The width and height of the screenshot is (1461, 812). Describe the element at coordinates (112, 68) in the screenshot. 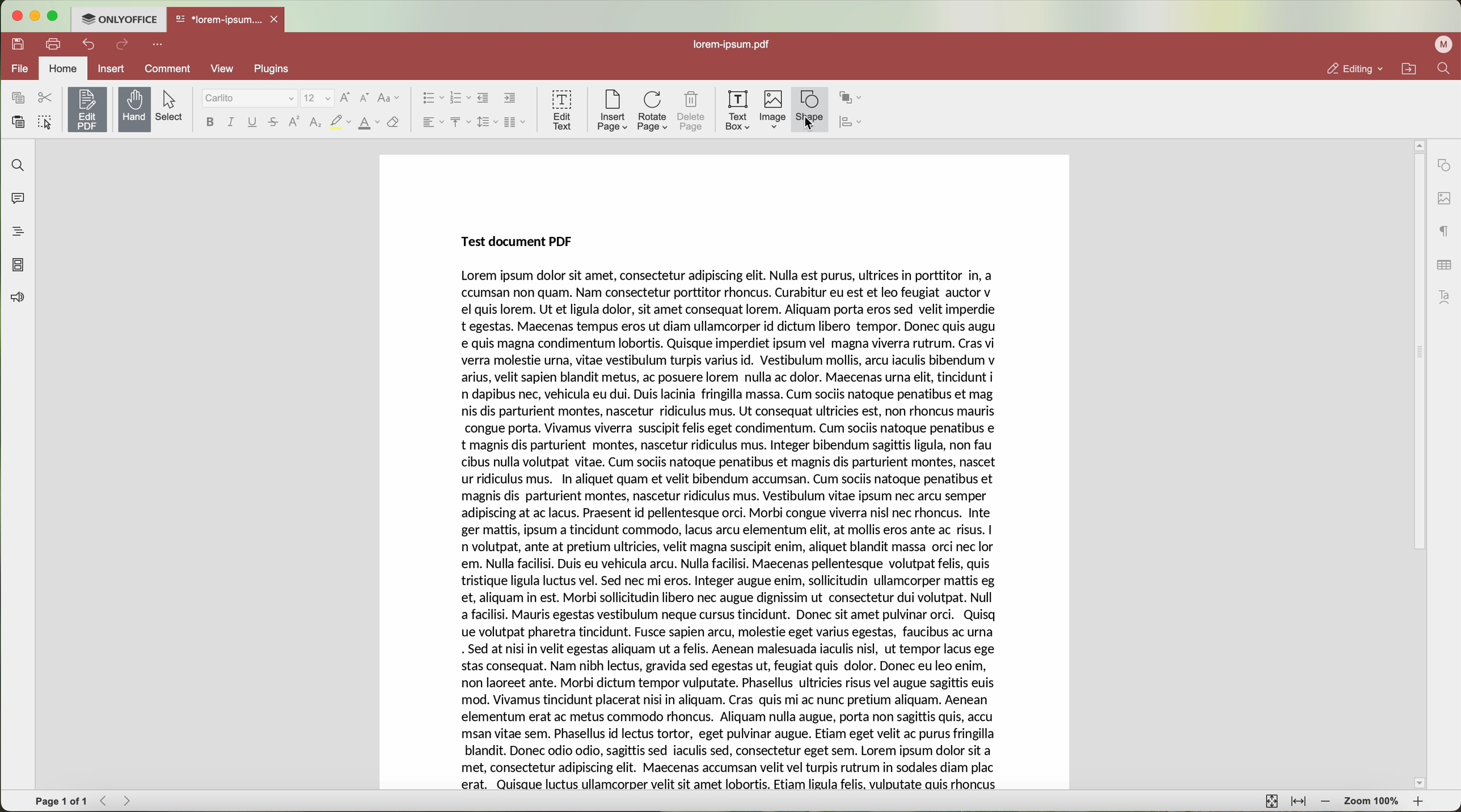

I see `insert` at that location.